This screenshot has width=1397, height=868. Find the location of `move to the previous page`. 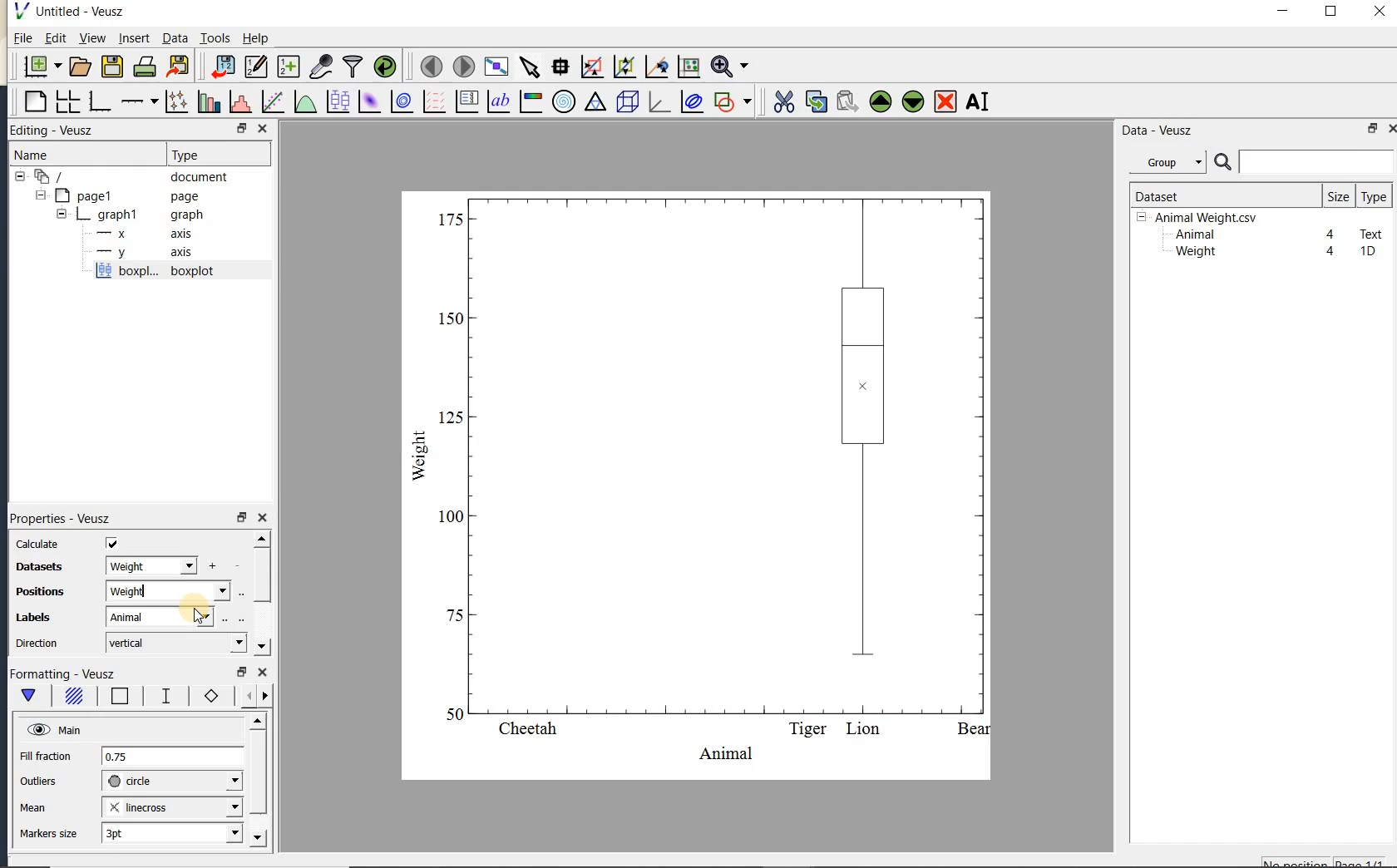

move to the previous page is located at coordinates (428, 65).